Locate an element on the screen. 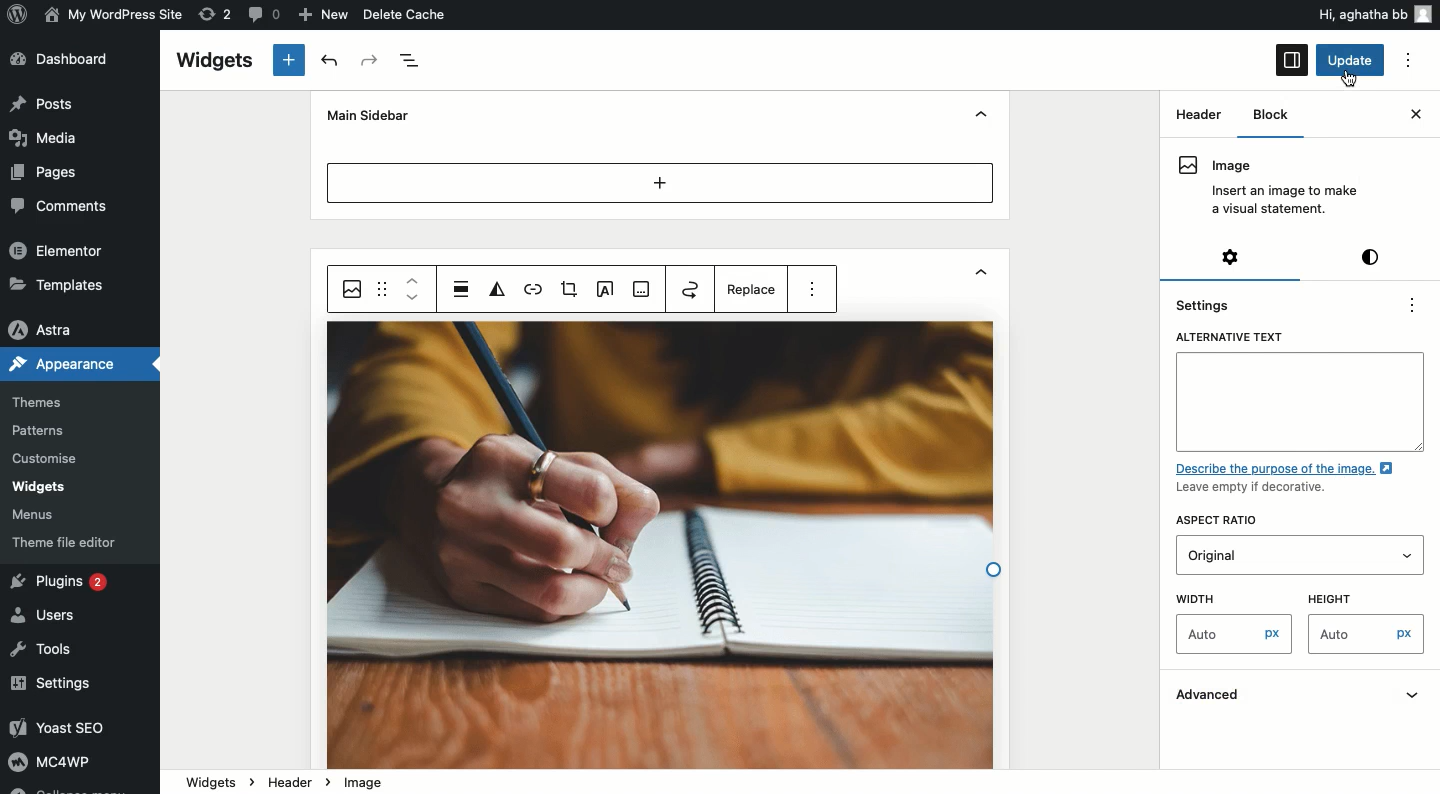 The image size is (1440, 794). Themes is located at coordinates (37, 403).